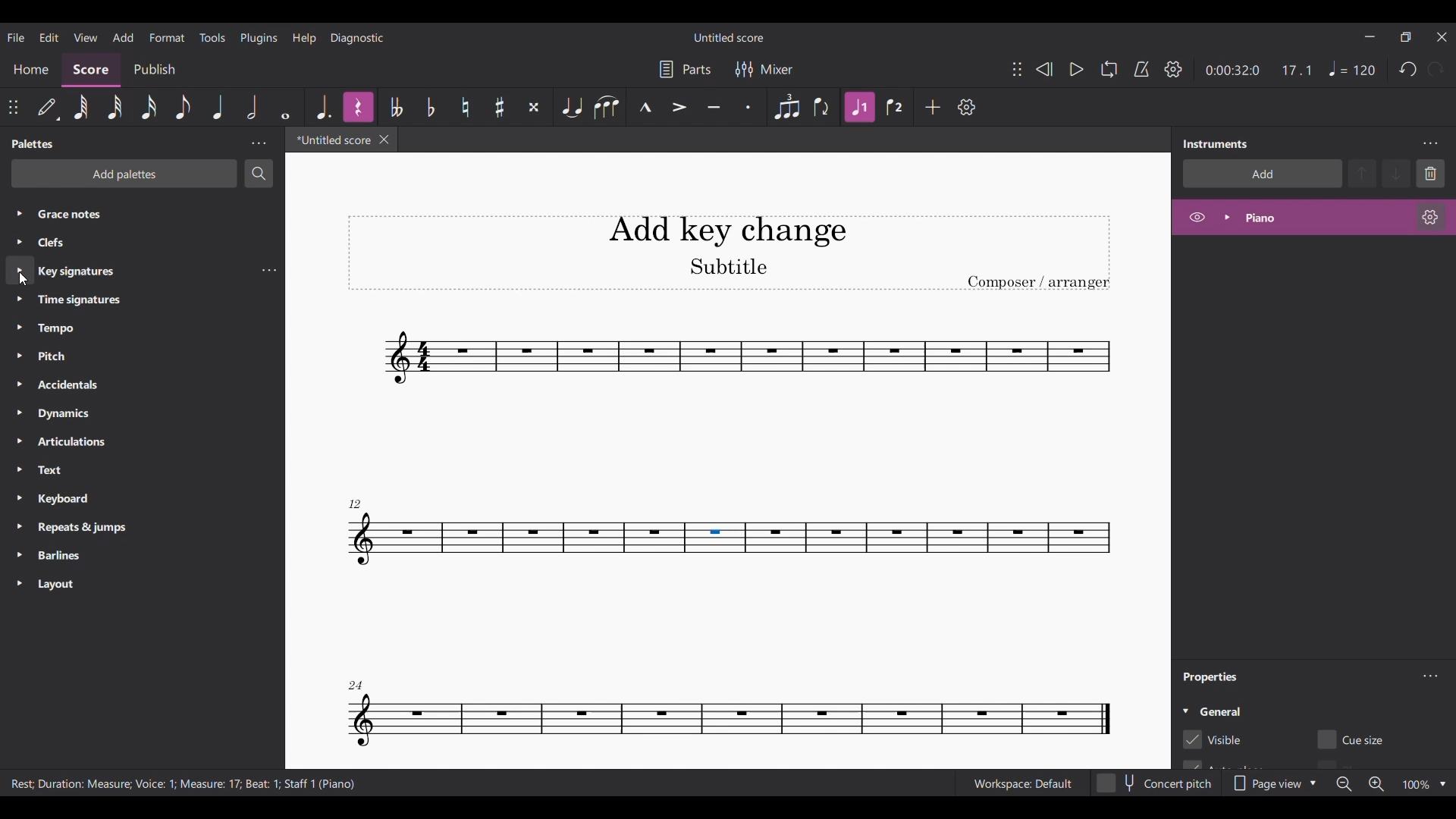 The width and height of the screenshot is (1456, 819). Describe the element at coordinates (258, 37) in the screenshot. I see `Plugins menu` at that location.